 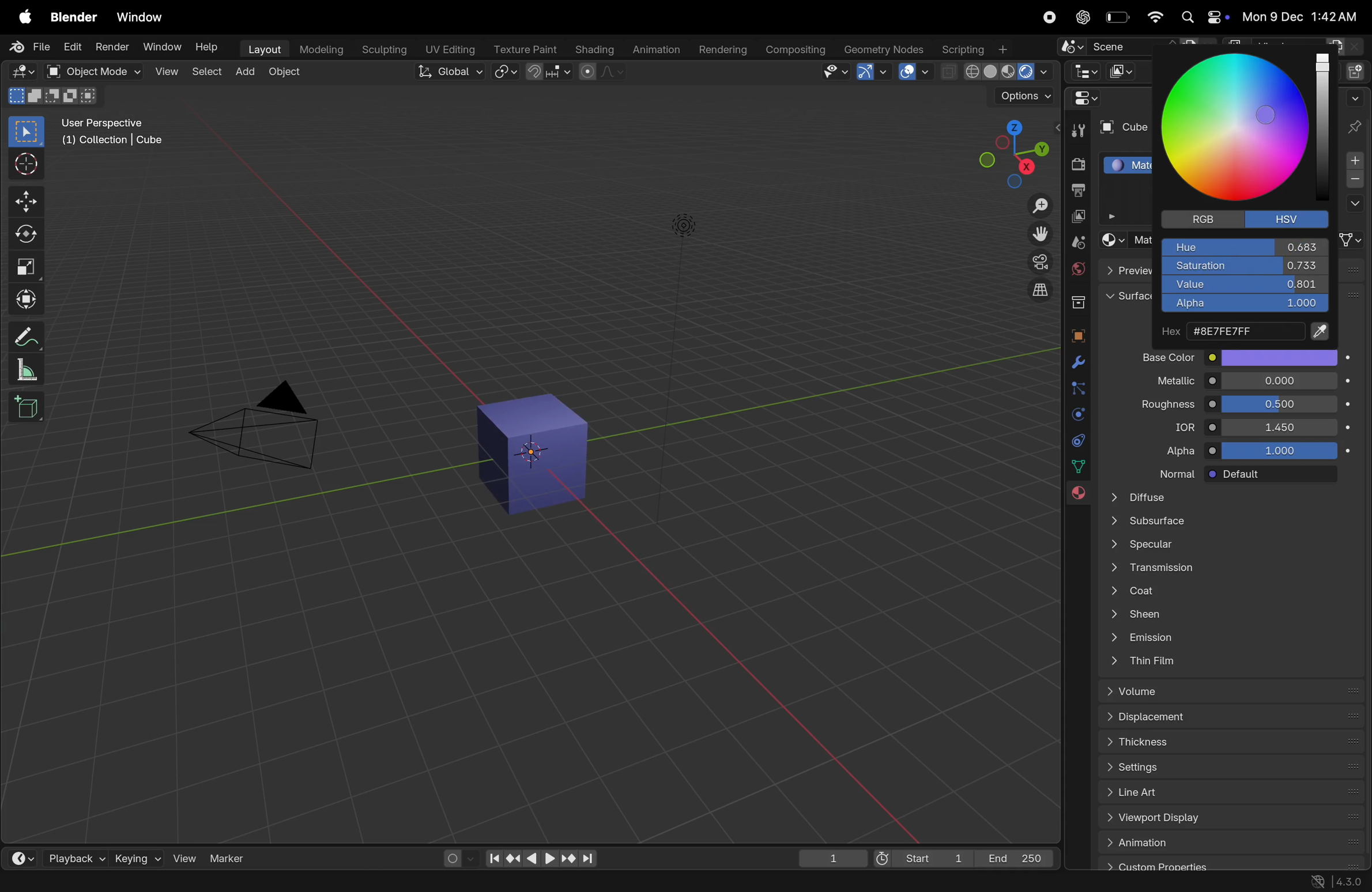 What do you see at coordinates (1355, 181) in the screenshot?
I see `remove material slot` at bounding box center [1355, 181].